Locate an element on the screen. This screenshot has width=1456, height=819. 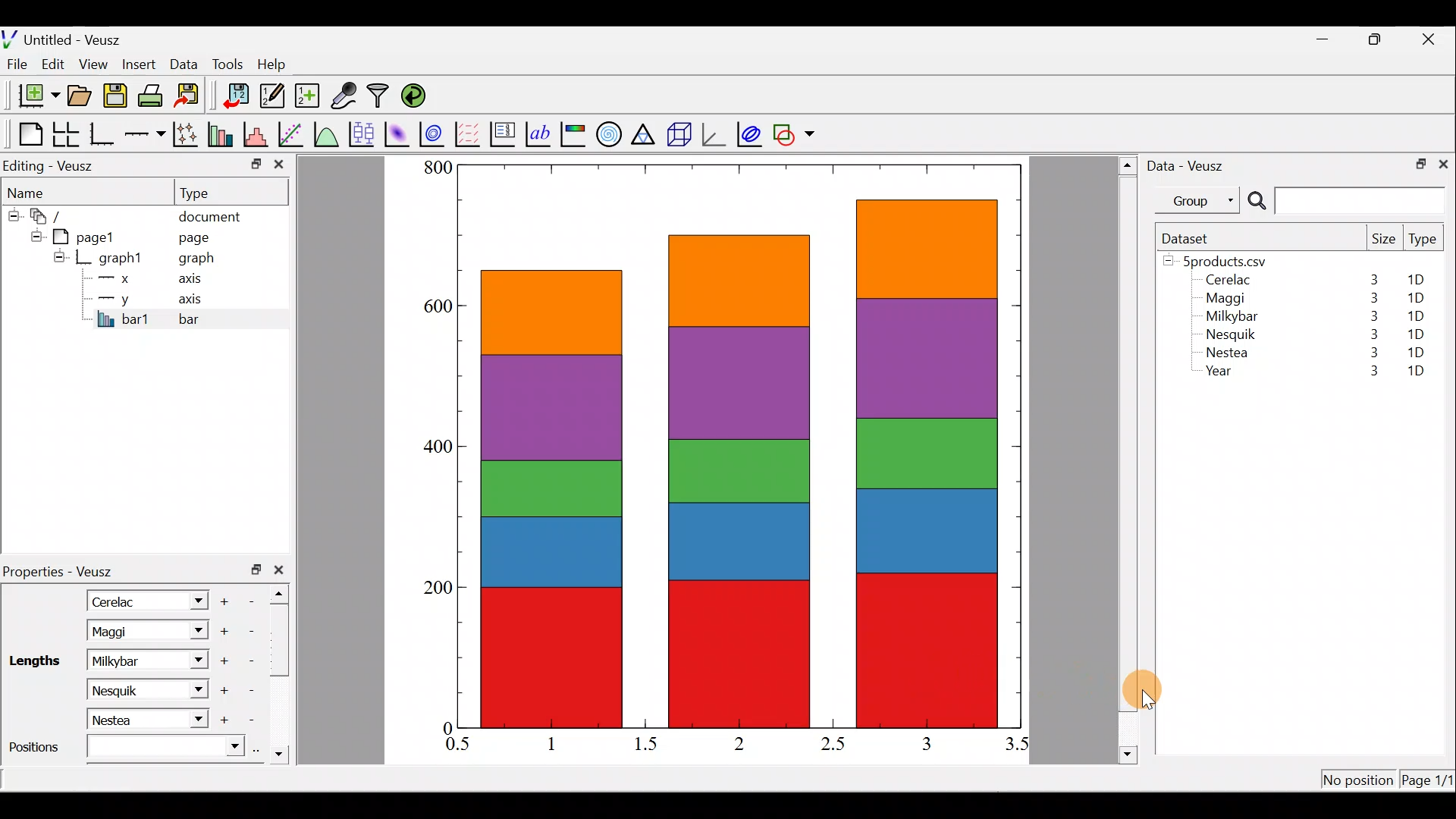
Add another item is located at coordinates (231, 720).